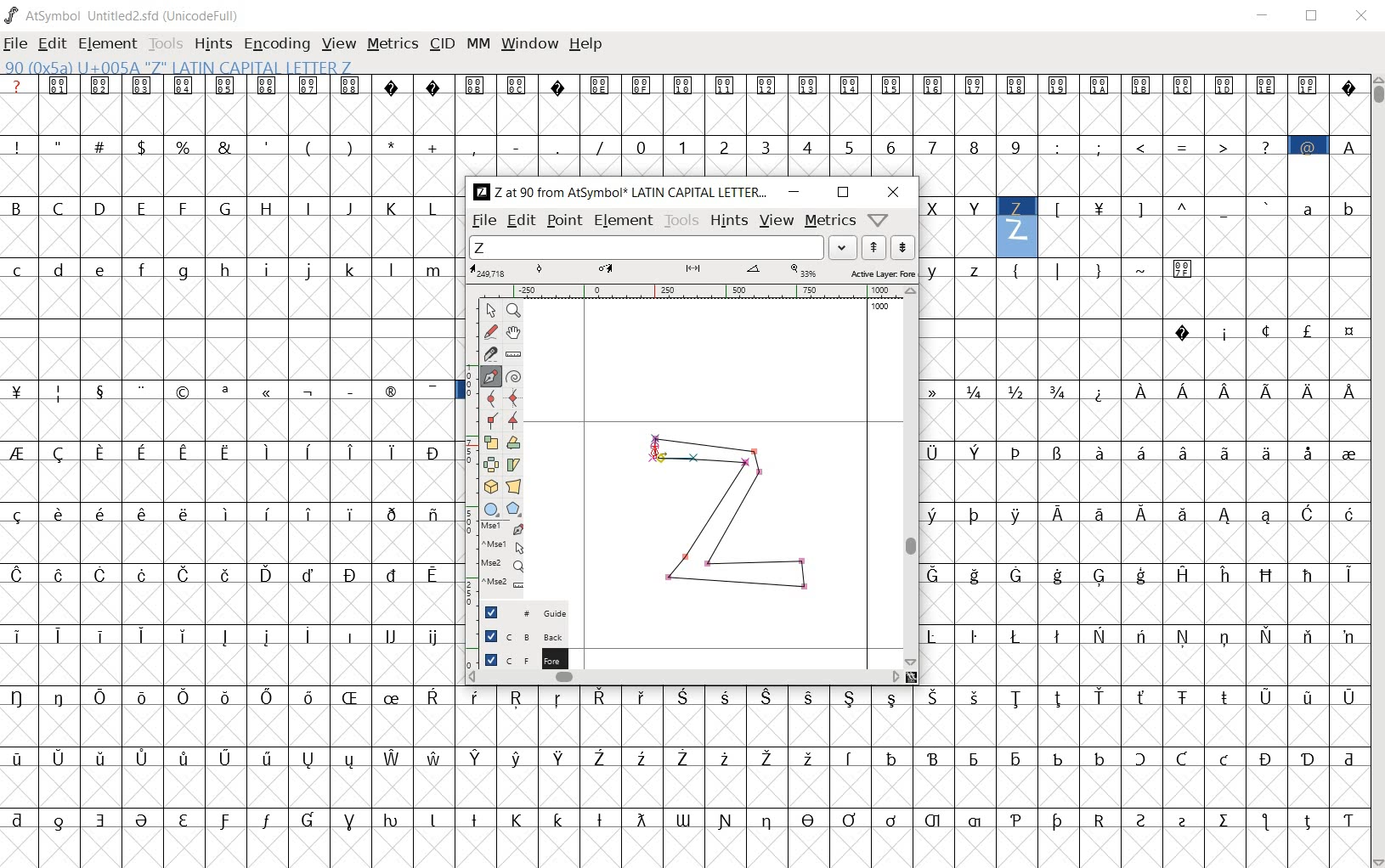  I want to click on restore down, so click(843, 192).